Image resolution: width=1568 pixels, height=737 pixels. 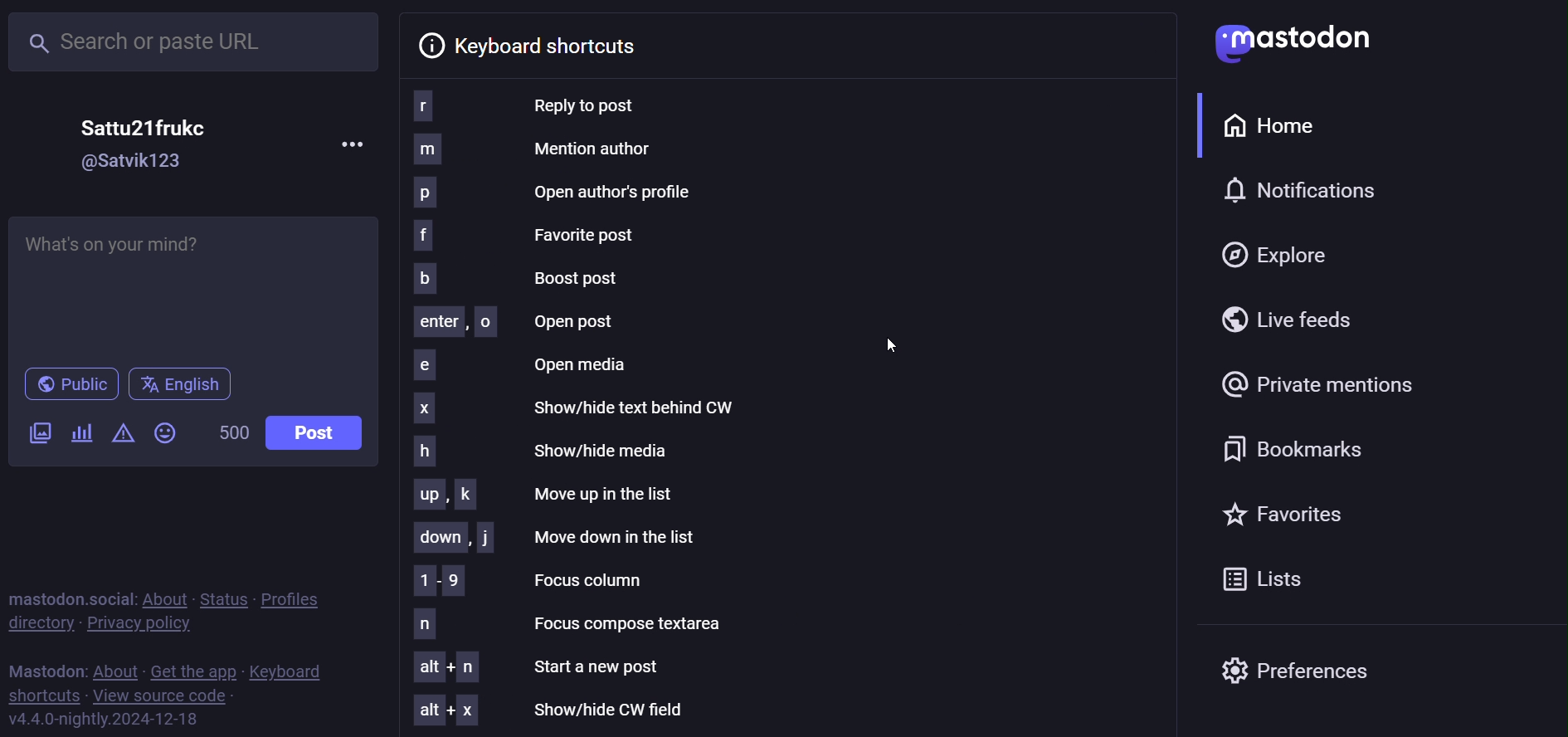 What do you see at coordinates (103, 720) in the screenshot?
I see `Vv4.4.0-nightly.2024-12-18` at bounding box center [103, 720].